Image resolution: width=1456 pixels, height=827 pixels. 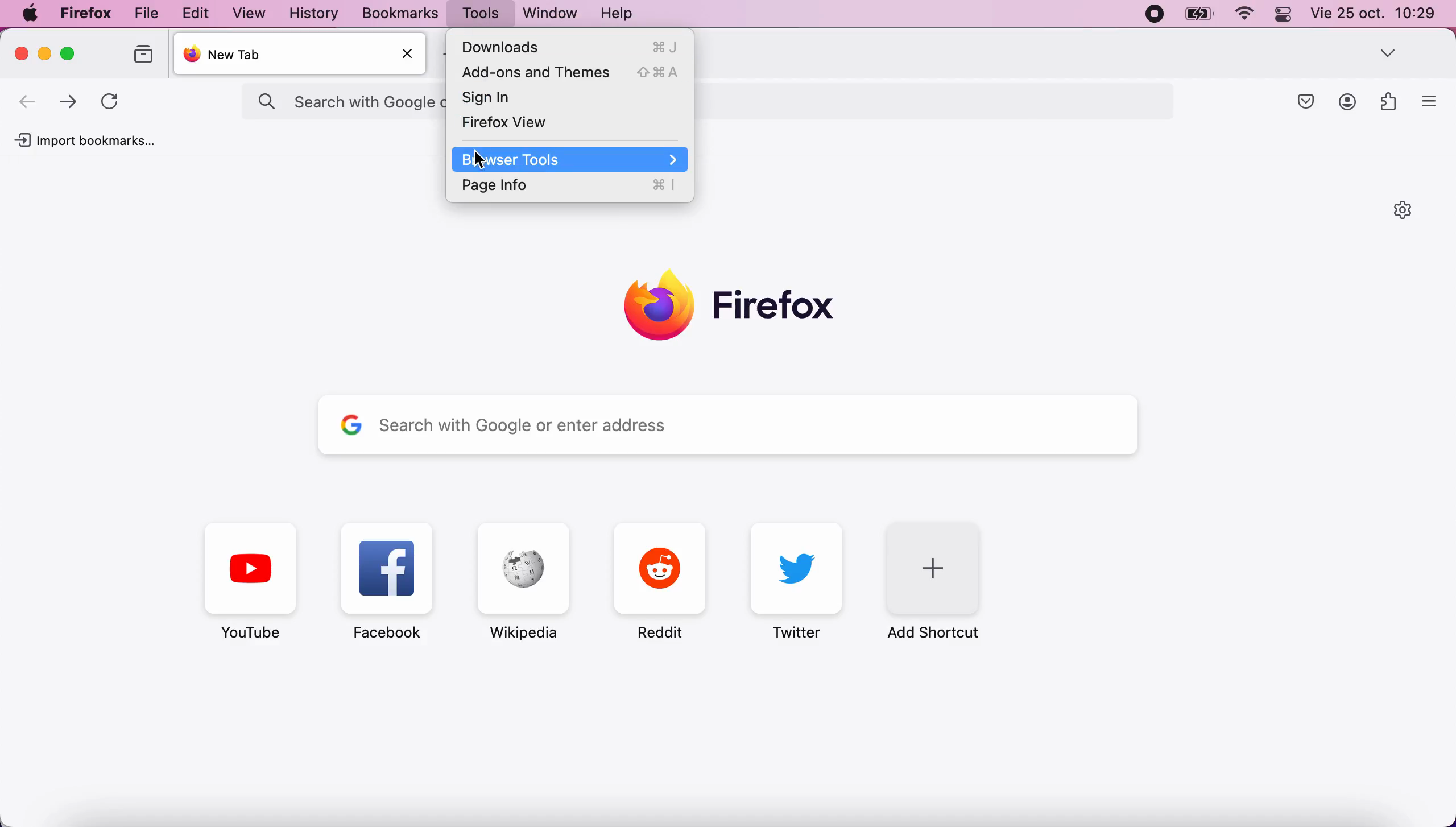 What do you see at coordinates (23, 53) in the screenshot?
I see `Close` at bounding box center [23, 53].